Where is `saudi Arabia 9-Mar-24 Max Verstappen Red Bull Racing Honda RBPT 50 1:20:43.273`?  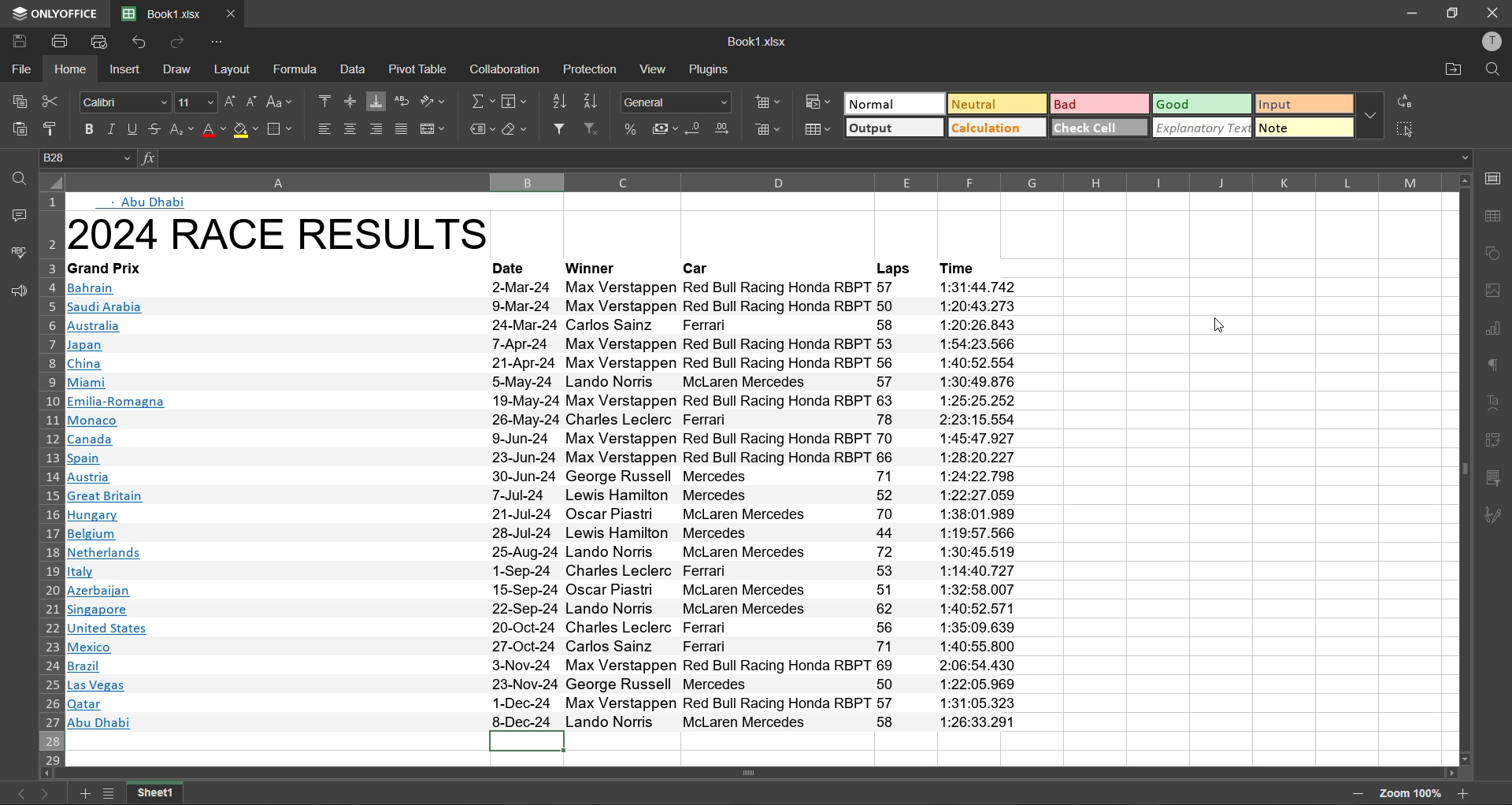 saudi Arabia 9-Mar-24 Max Verstappen Red Bull Racing Honda RBPT 50 1:20:43.273 is located at coordinates (544, 307).